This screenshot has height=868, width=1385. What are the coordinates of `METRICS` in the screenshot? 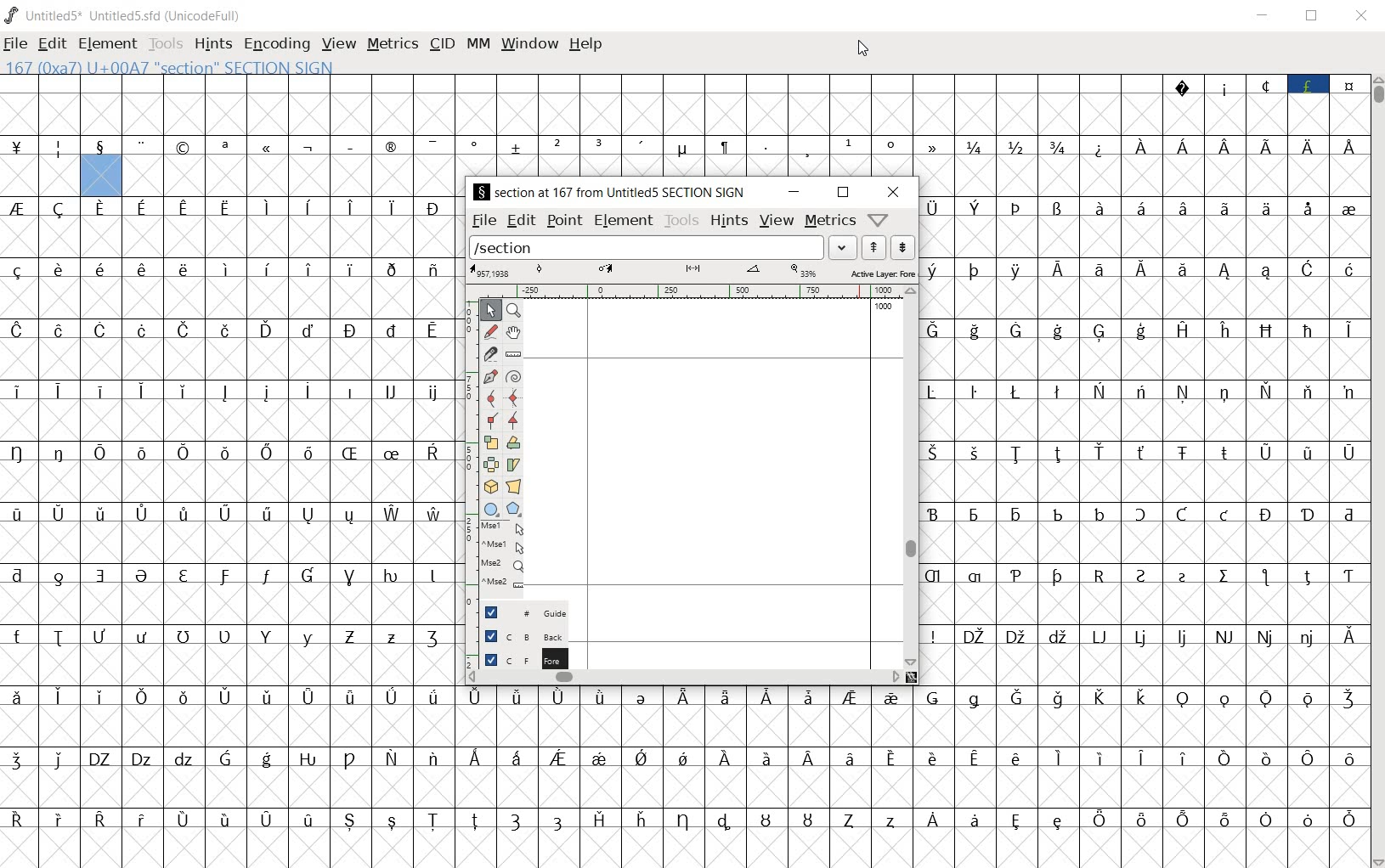 It's located at (394, 45).